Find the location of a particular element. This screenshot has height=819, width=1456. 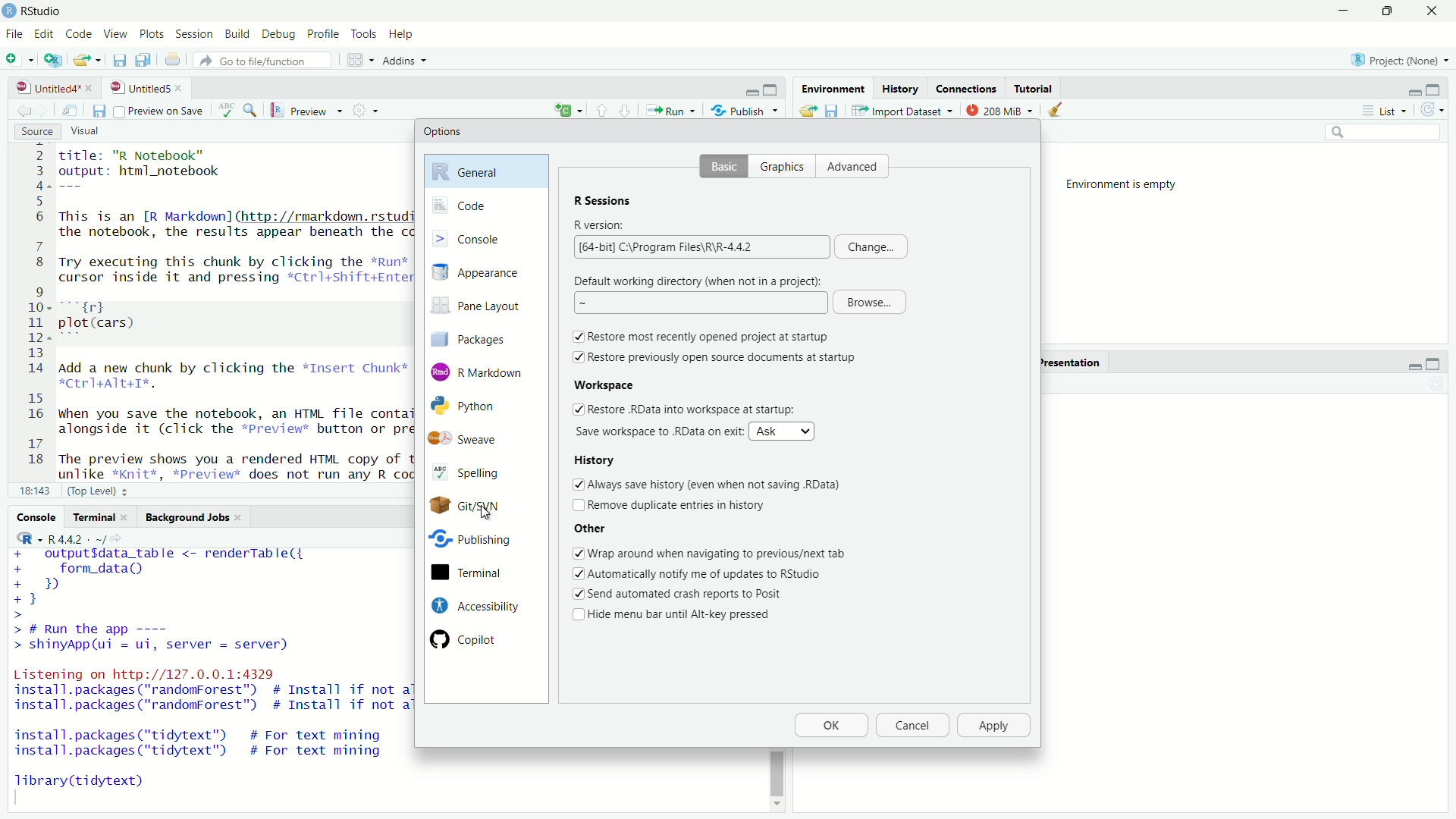

Remove duplicate entries in history is located at coordinates (681, 506).